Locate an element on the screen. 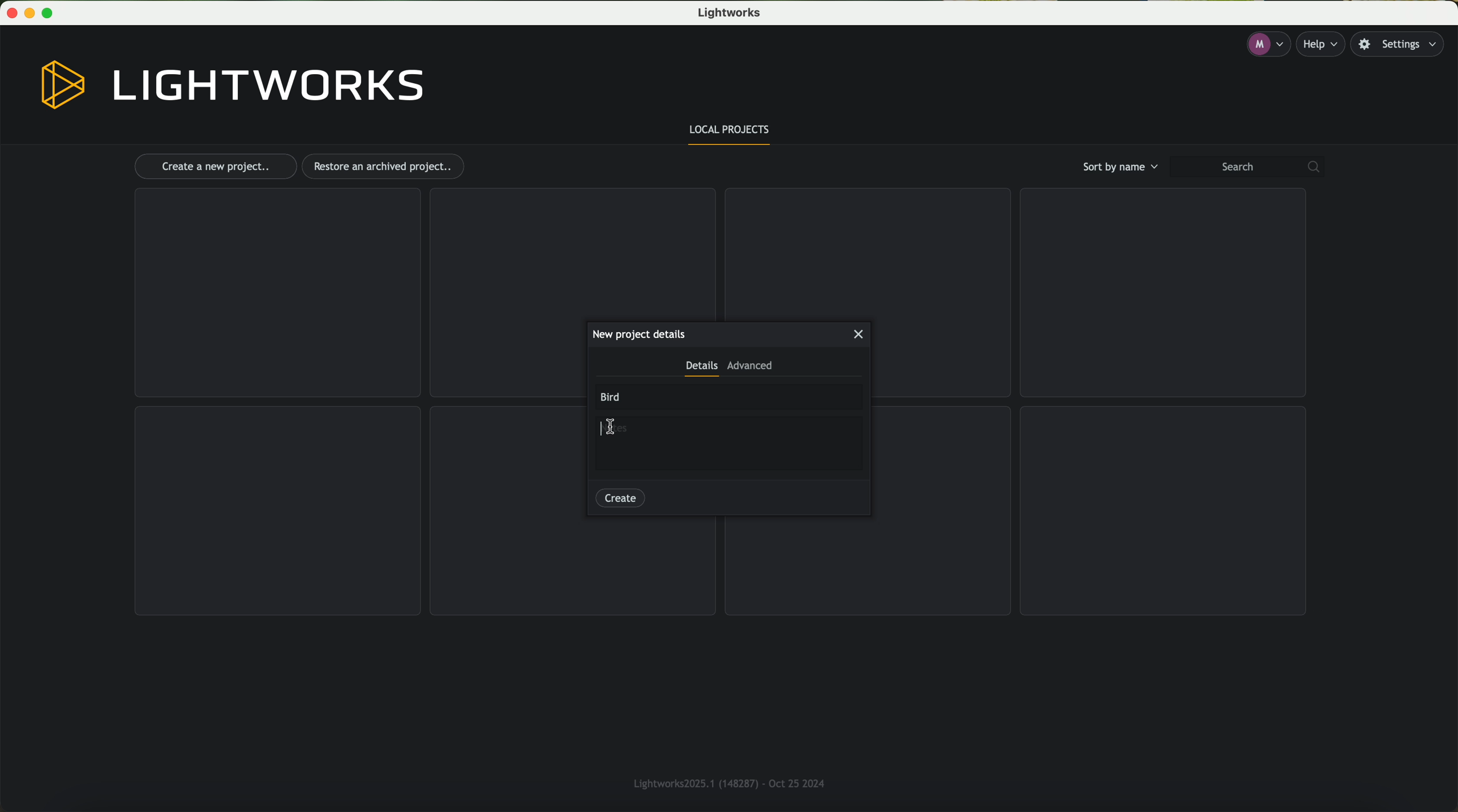 The image size is (1458, 812). grid is located at coordinates (573, 568).